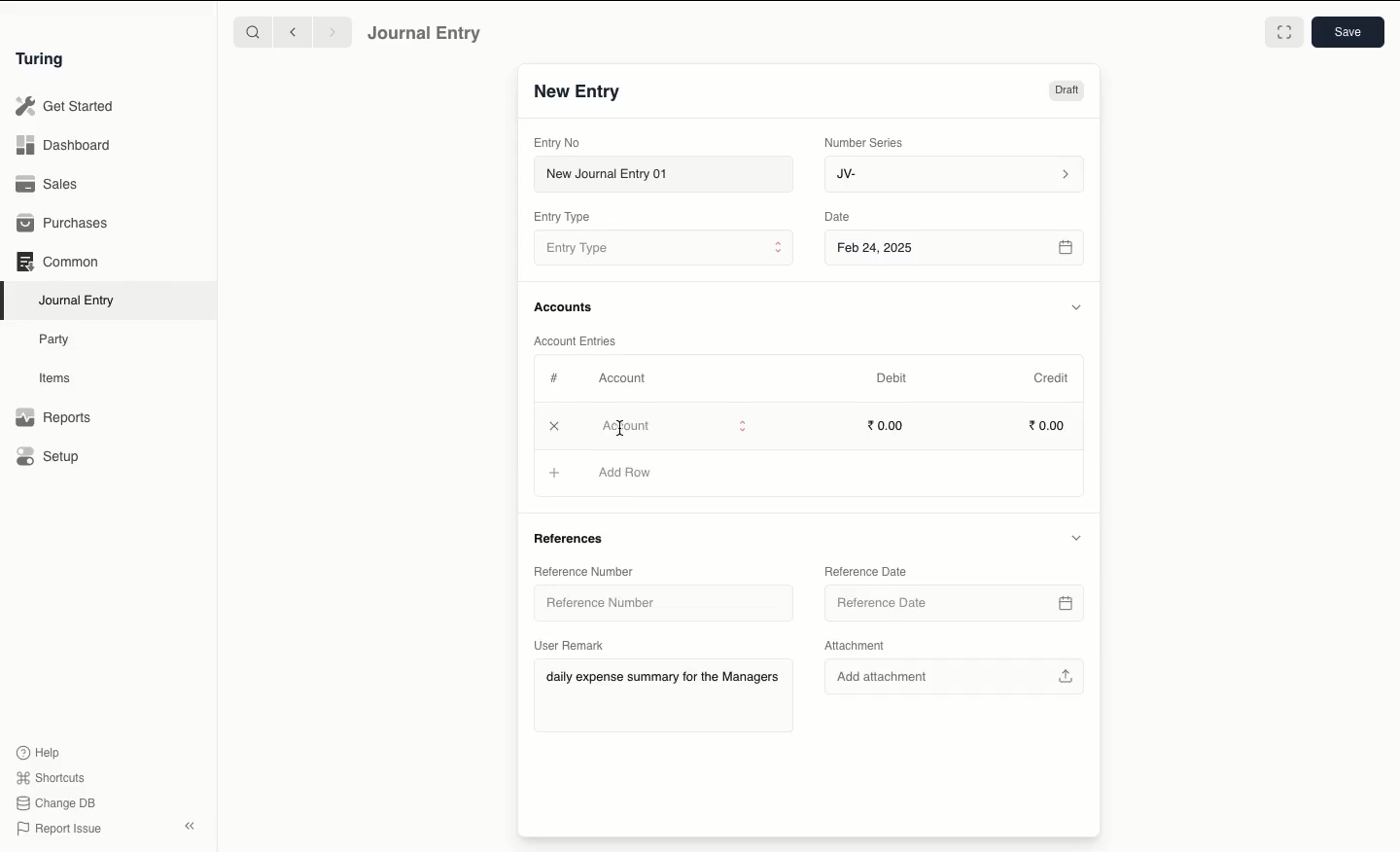  Describe the element at coordinates (957, 598) in the screenshot. I see `Reference Date` at that location.